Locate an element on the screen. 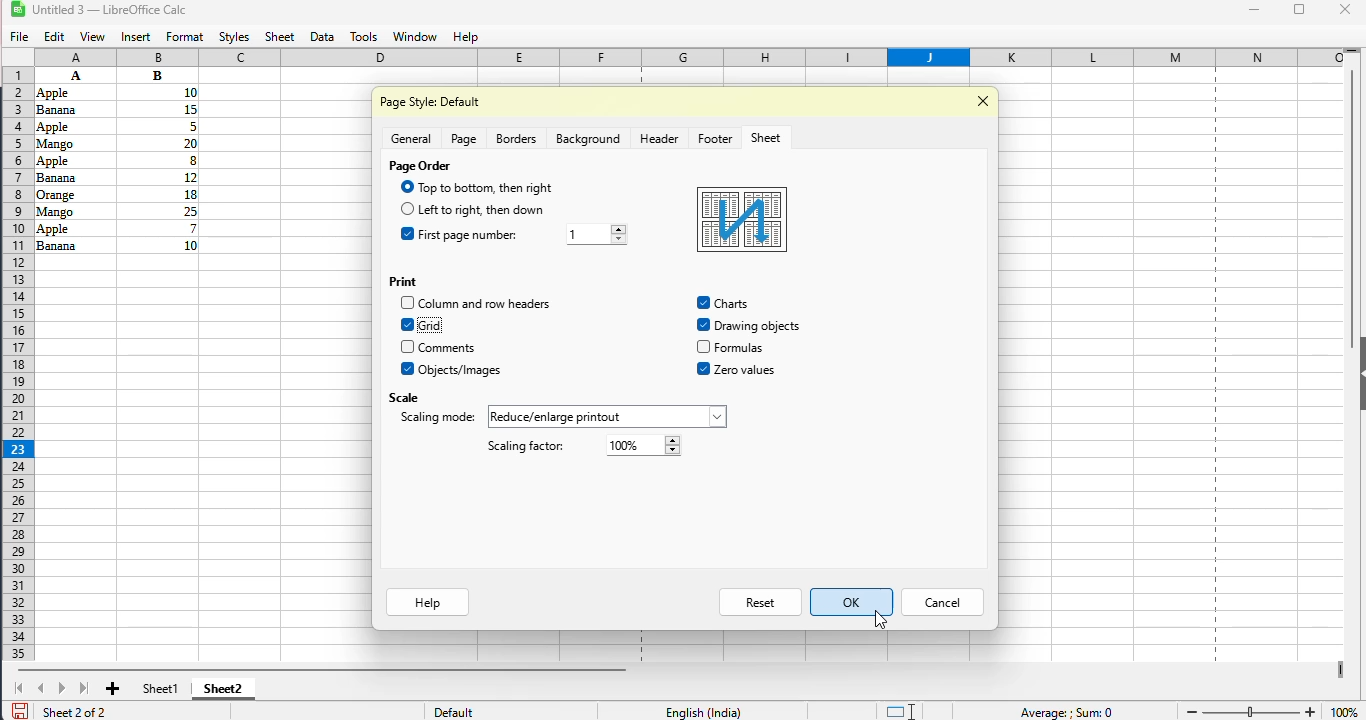   is located at coordinates (405, 187).